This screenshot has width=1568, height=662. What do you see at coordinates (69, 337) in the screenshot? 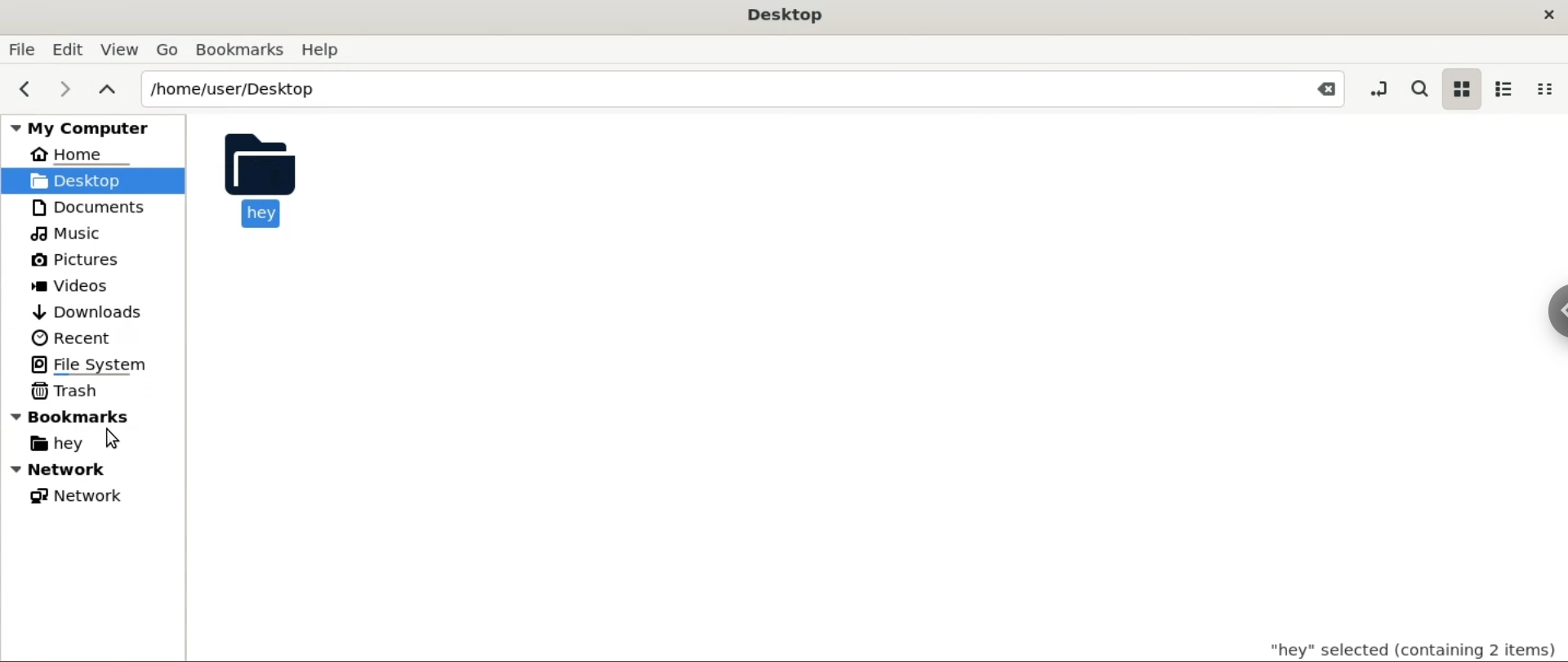
I see `Recent` at bounding box center [69, 337].